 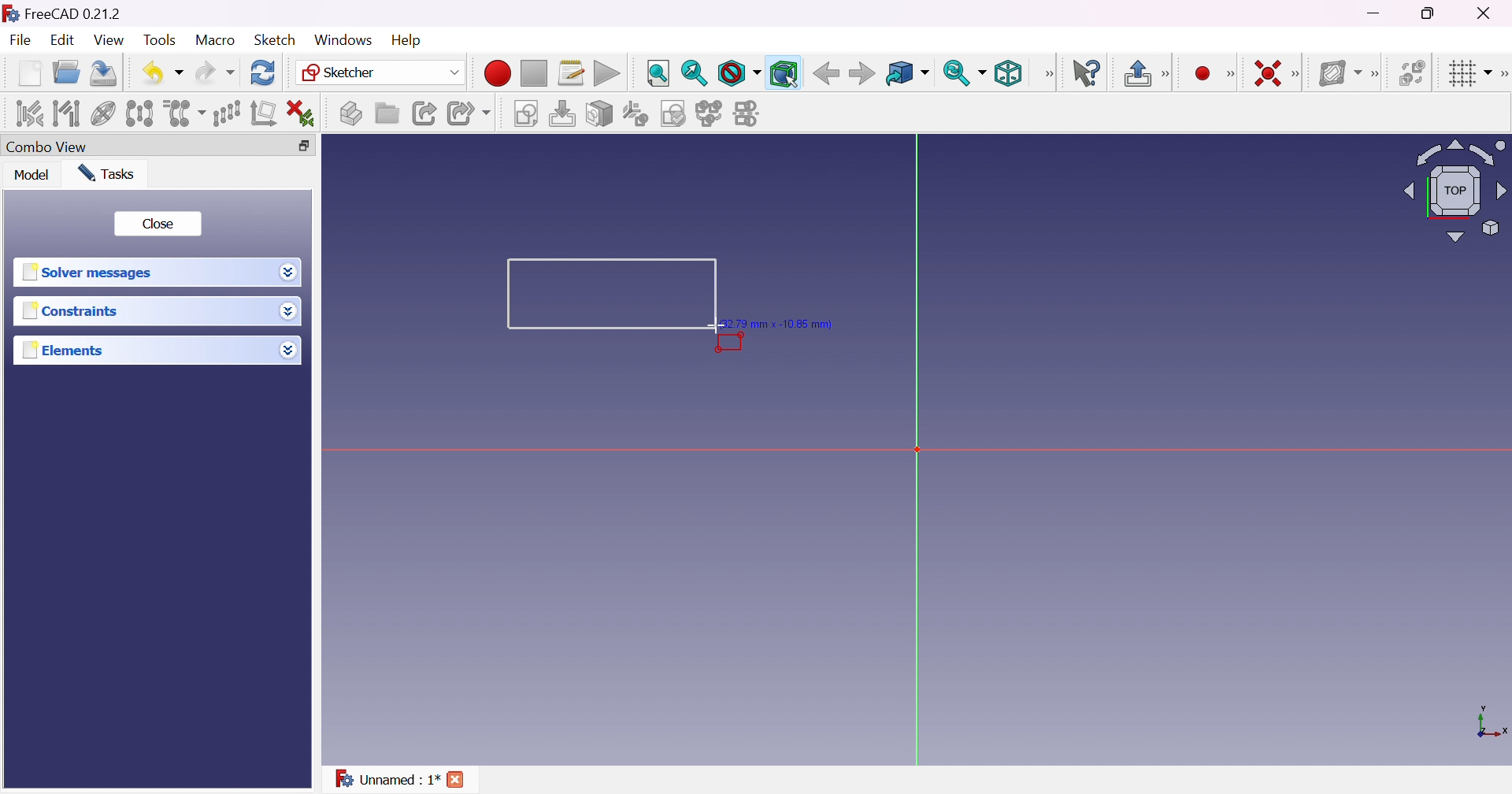 I want to click on Create group, so click(x=387, y=114).